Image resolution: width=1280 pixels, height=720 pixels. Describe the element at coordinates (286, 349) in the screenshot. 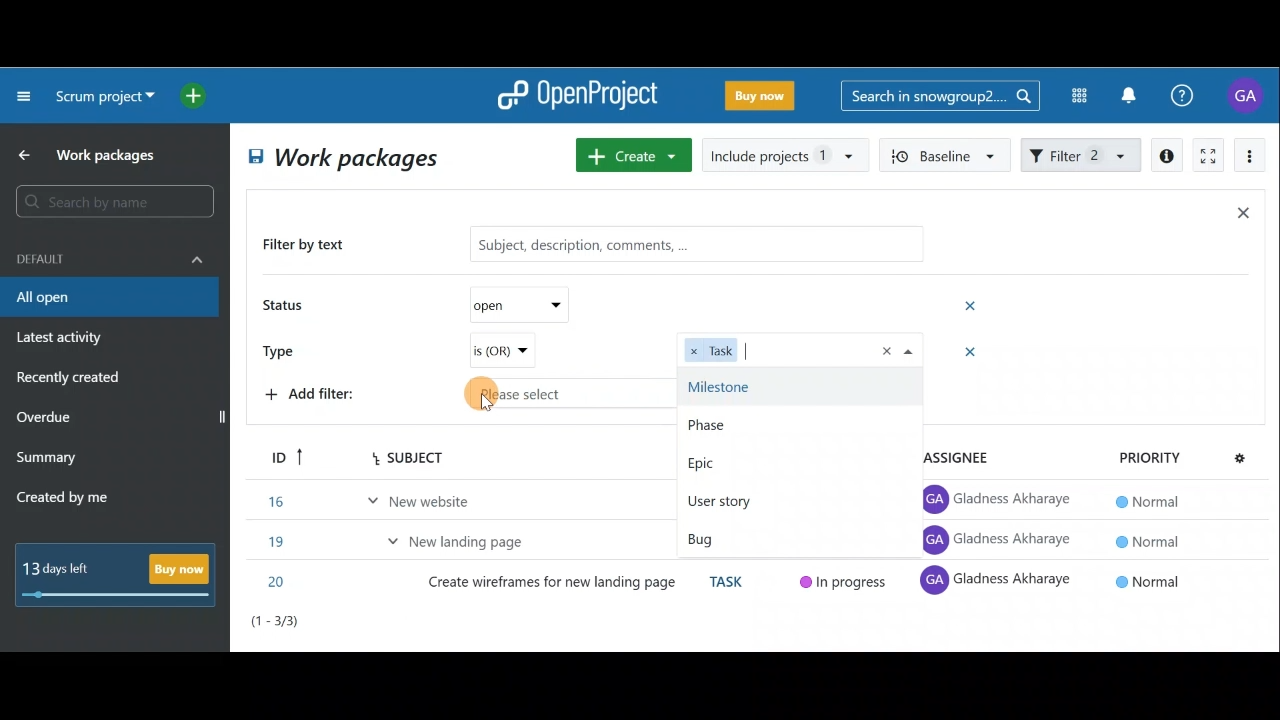

I see `Type` at that location.